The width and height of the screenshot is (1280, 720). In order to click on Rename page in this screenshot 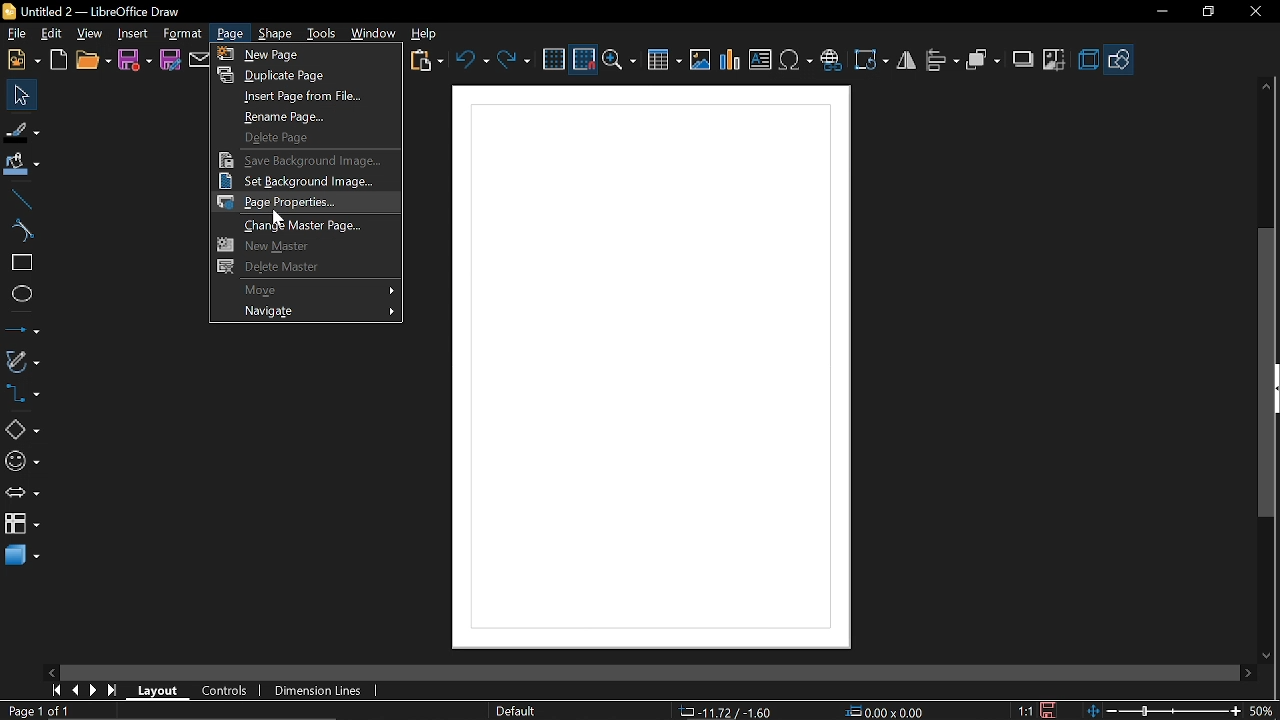, I will do `click(305, 116)`.